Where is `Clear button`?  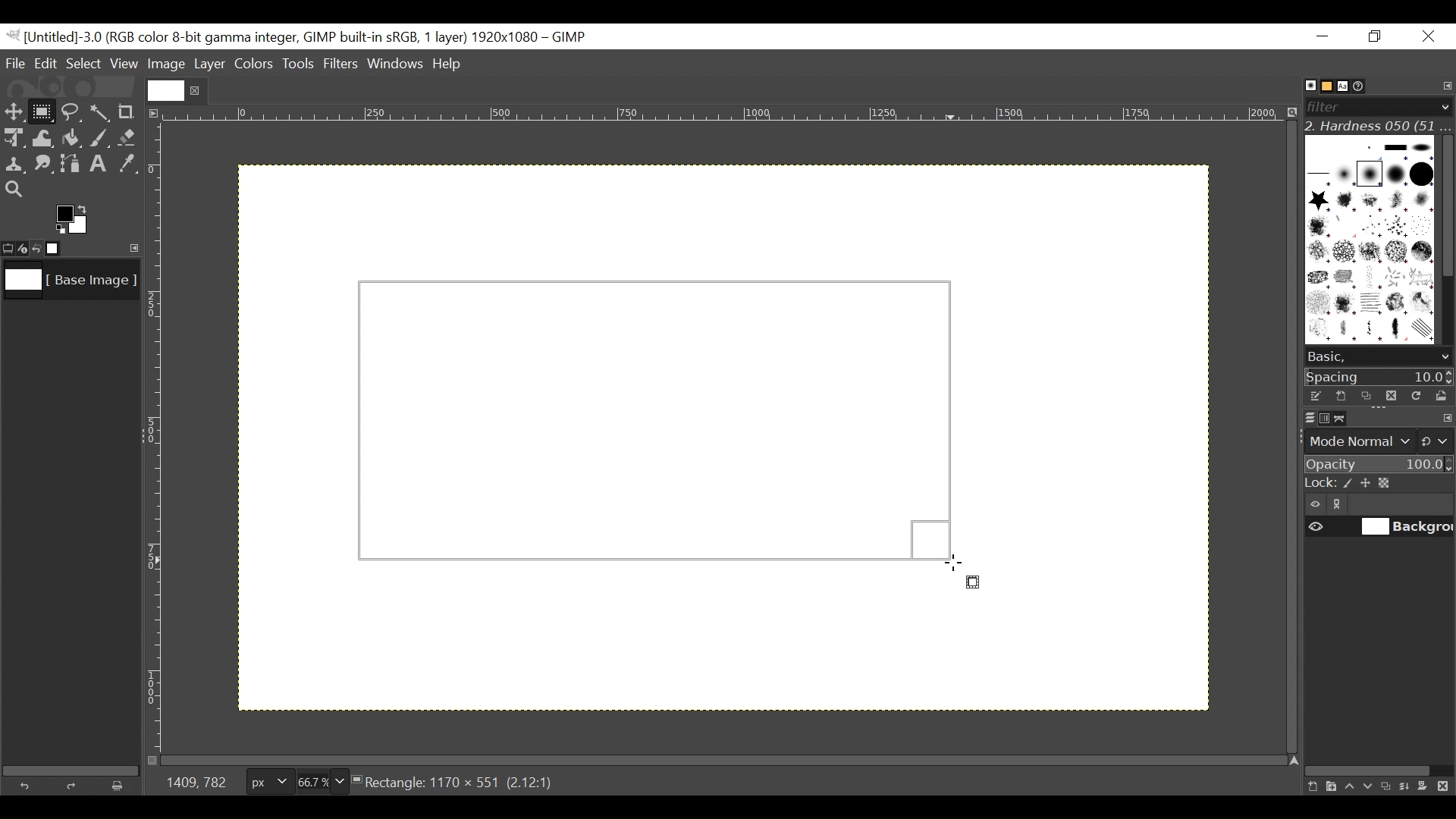
Clear button is located at coordinates (122, 786).